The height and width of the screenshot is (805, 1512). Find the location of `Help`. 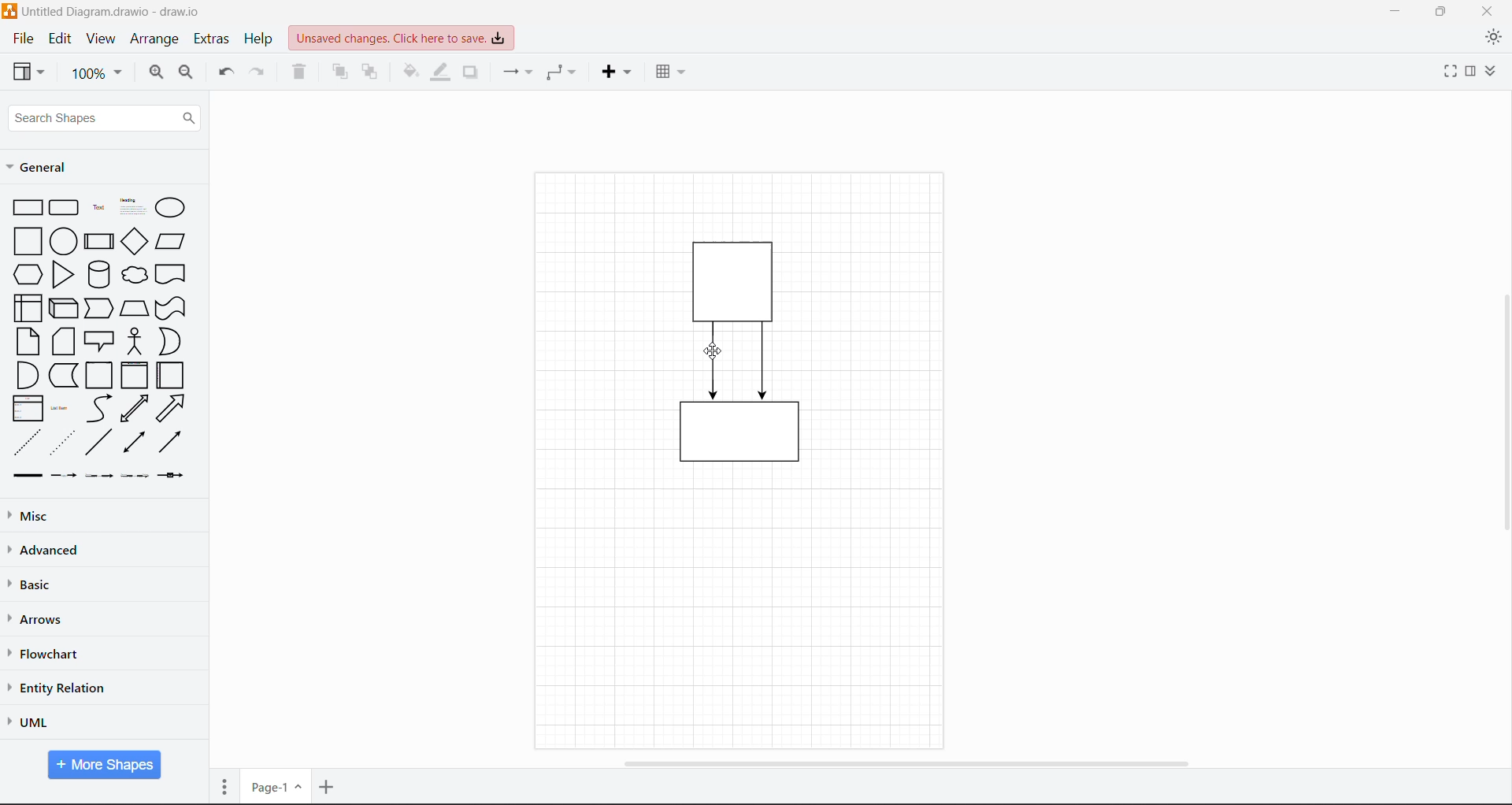

Help is located at coordinates (261, 39).